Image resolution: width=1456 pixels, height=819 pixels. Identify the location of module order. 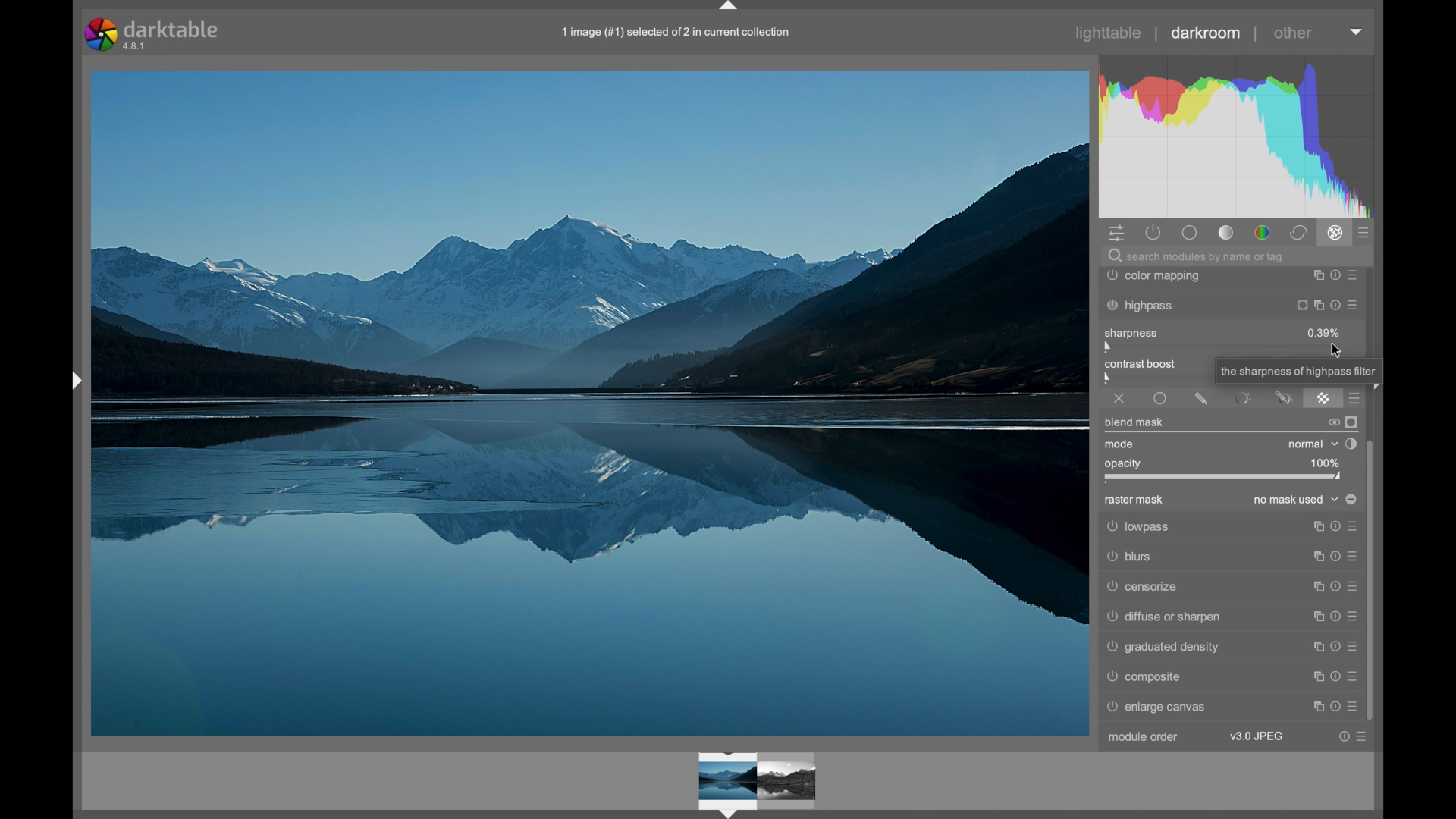
(1144, 736).